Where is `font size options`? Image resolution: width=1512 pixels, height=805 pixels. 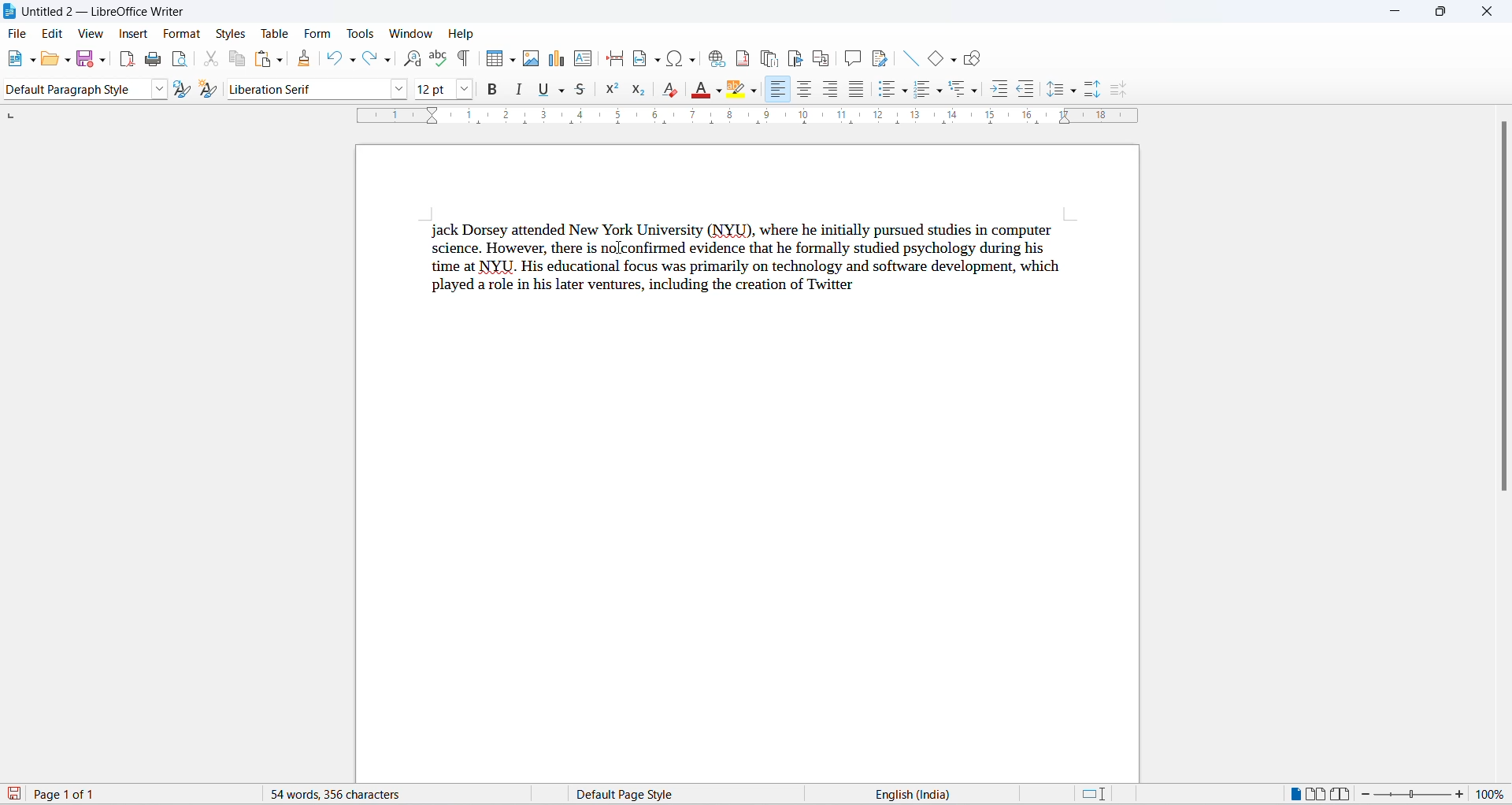 font size options is located at coordinates (463, 91).